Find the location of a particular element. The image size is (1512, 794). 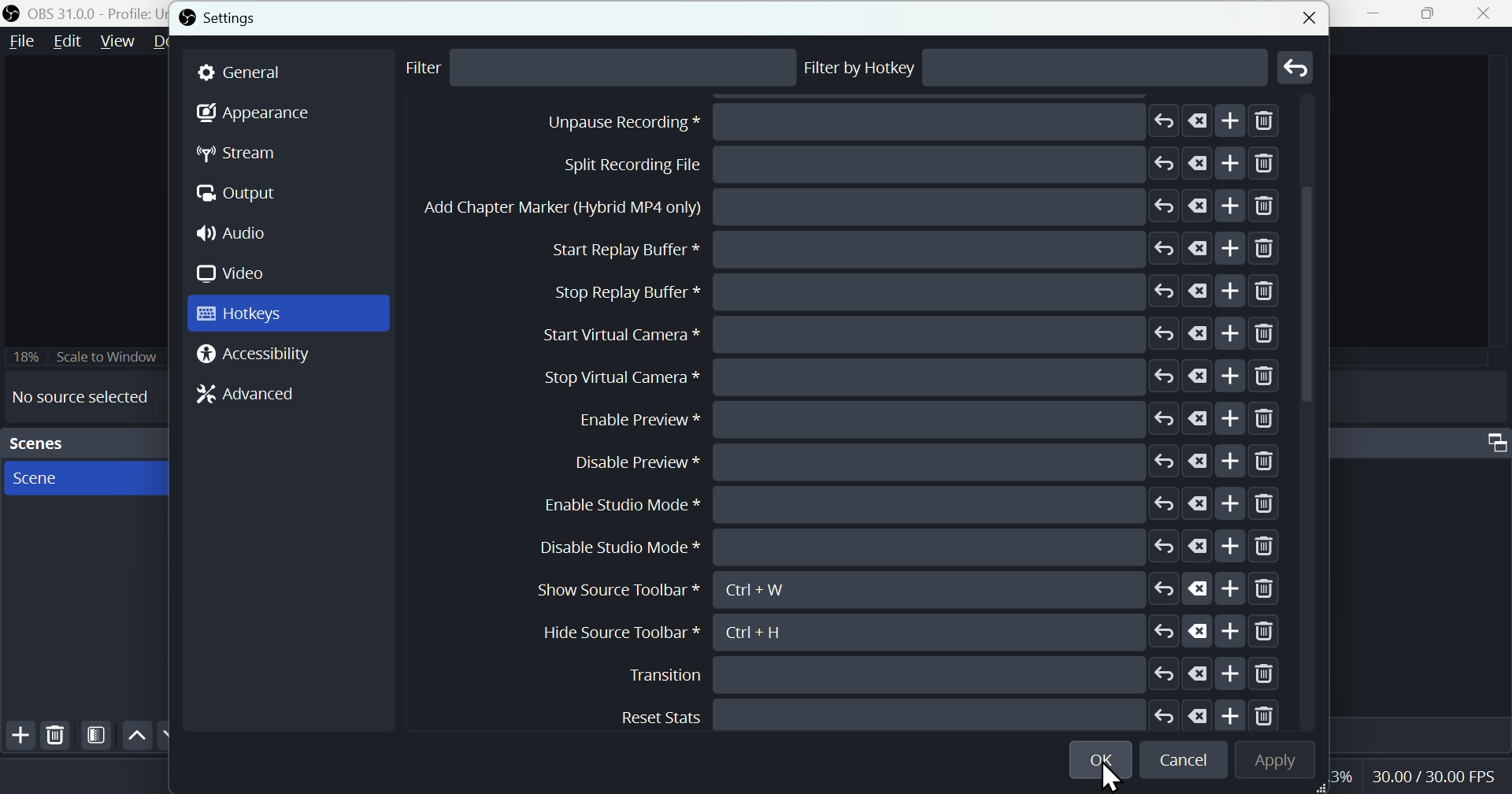

Split recording file is located at coordinates (913, 332).